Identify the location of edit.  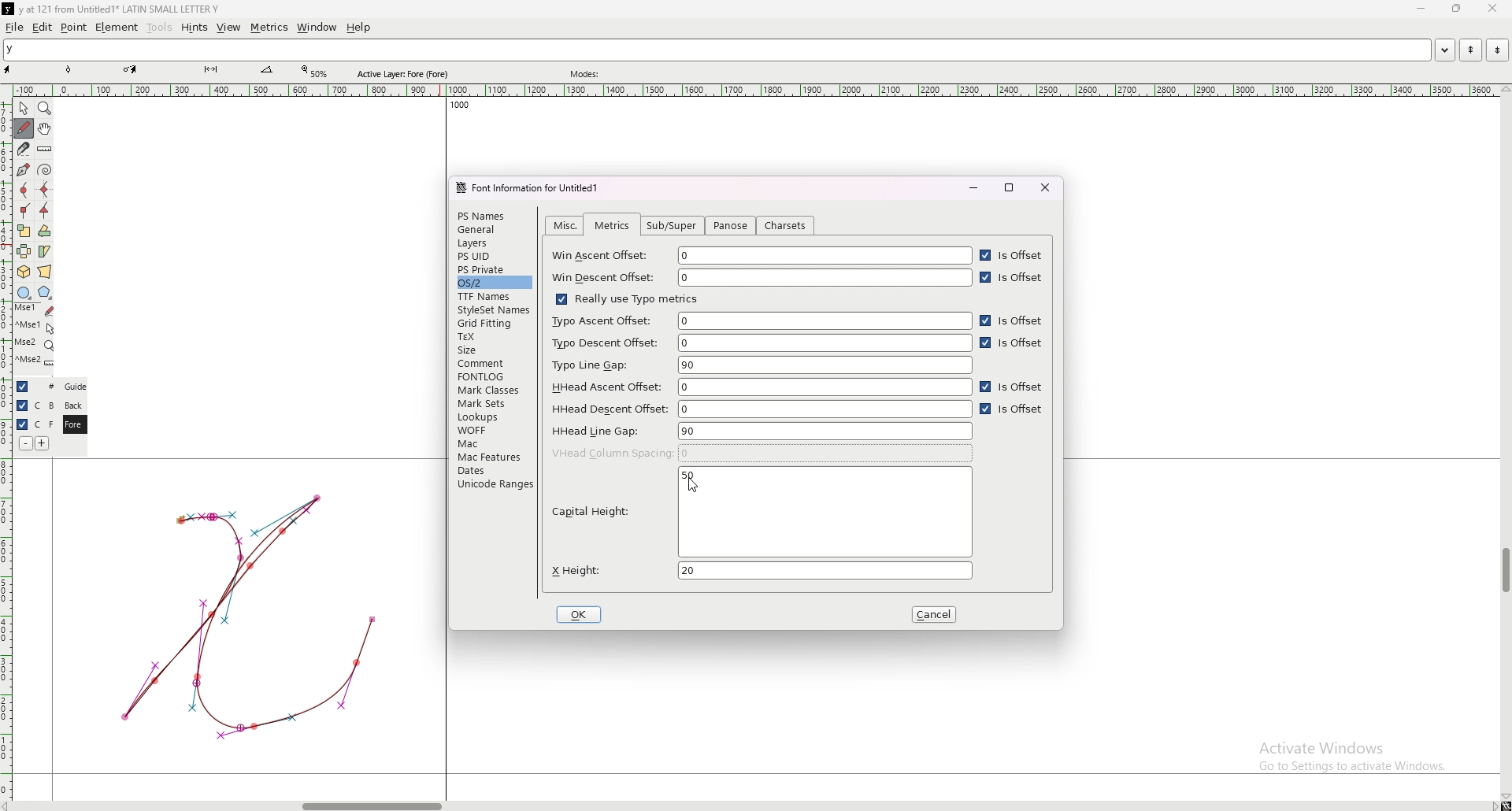
(43, 28).